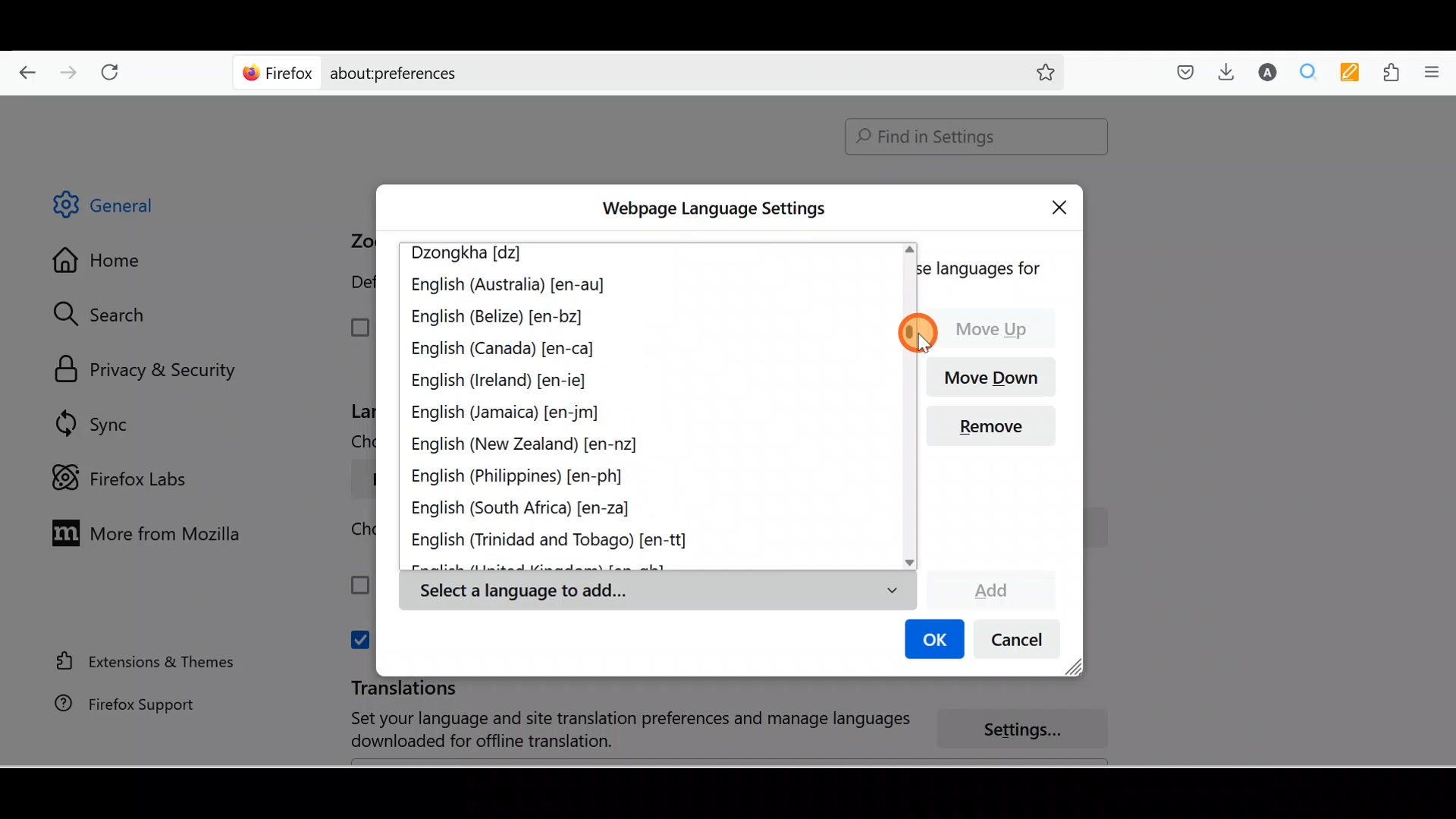 Image resolution: width=1456 pixels, height=819 pixels. I want to click on Firefox labs, so click(124, 479).